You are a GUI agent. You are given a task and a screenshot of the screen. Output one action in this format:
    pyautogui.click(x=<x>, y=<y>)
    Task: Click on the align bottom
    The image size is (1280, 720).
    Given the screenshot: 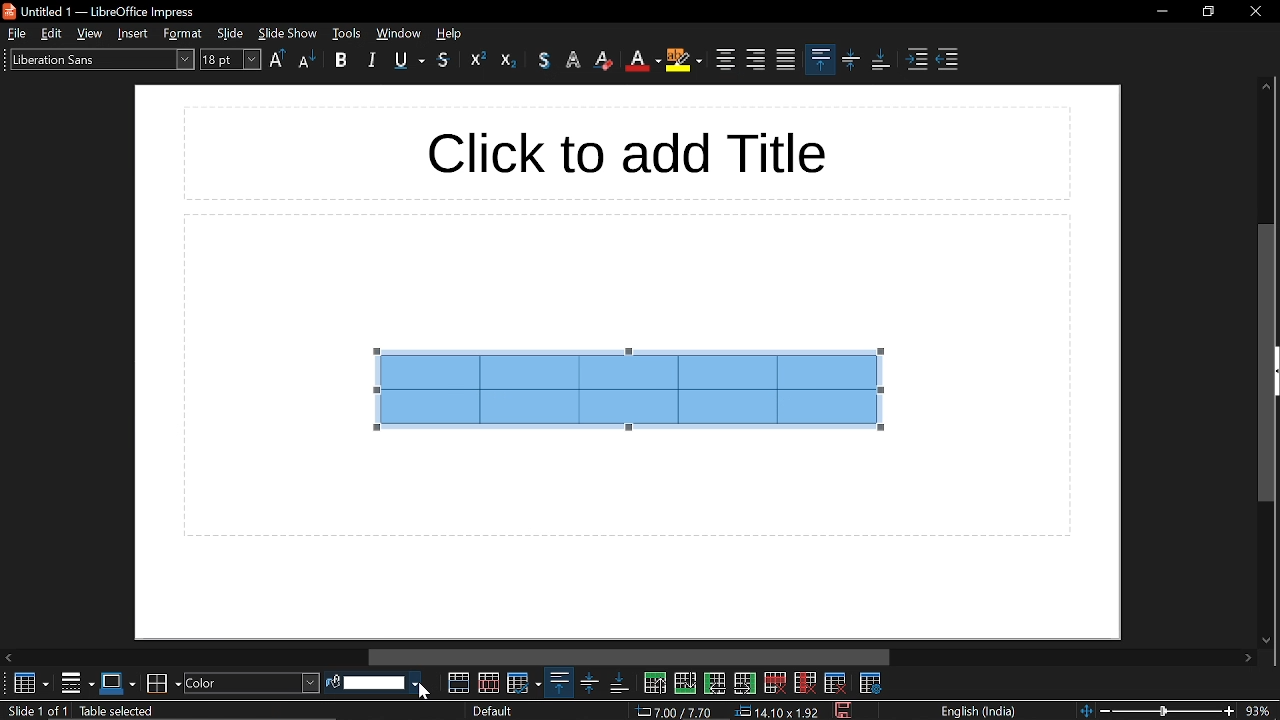 What is the action you would take?
    pyautogui.click(x=882, y=62)
    